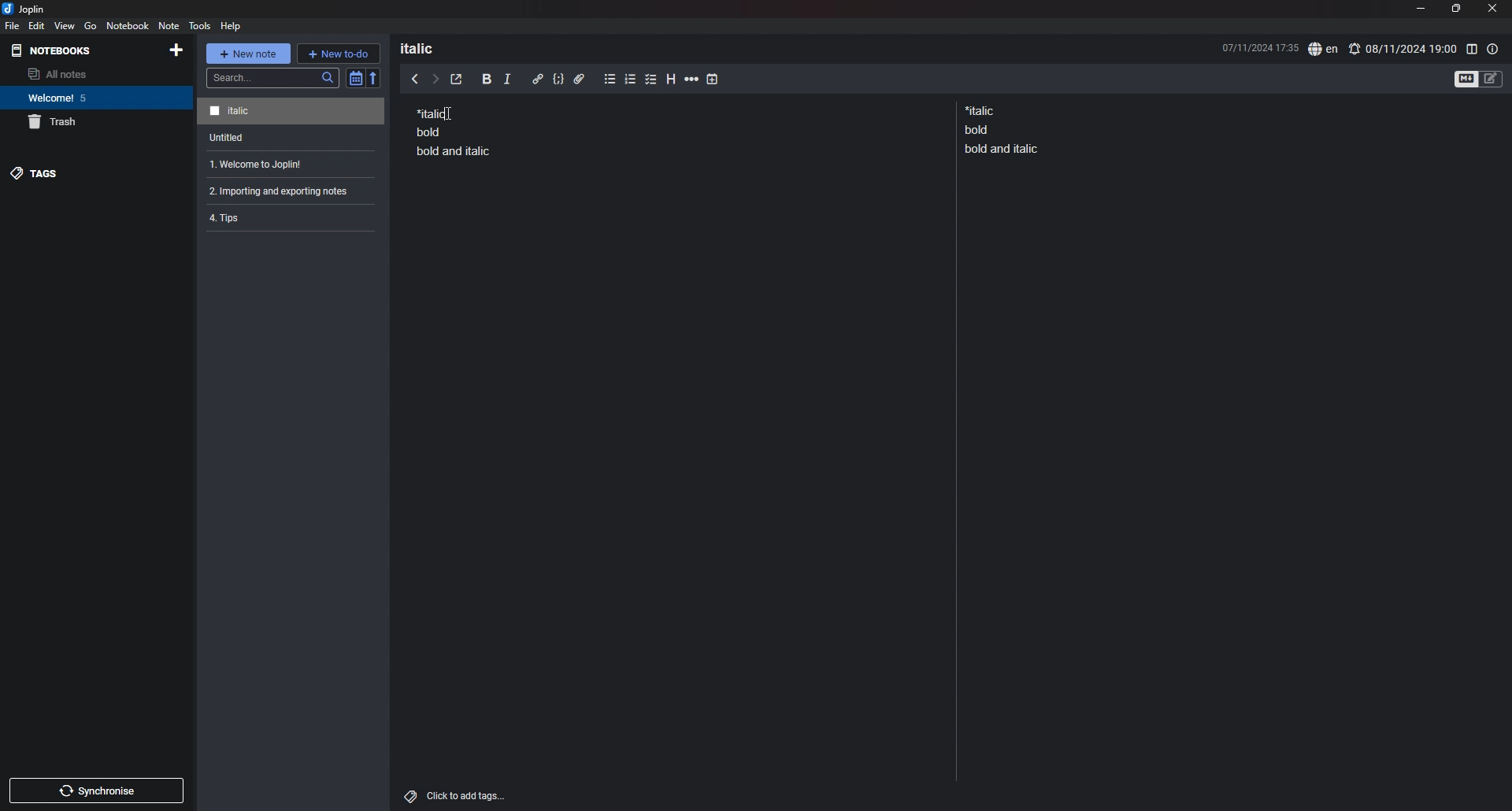 The image size is (1512, 811). I want to click on file, so click(13, 25).